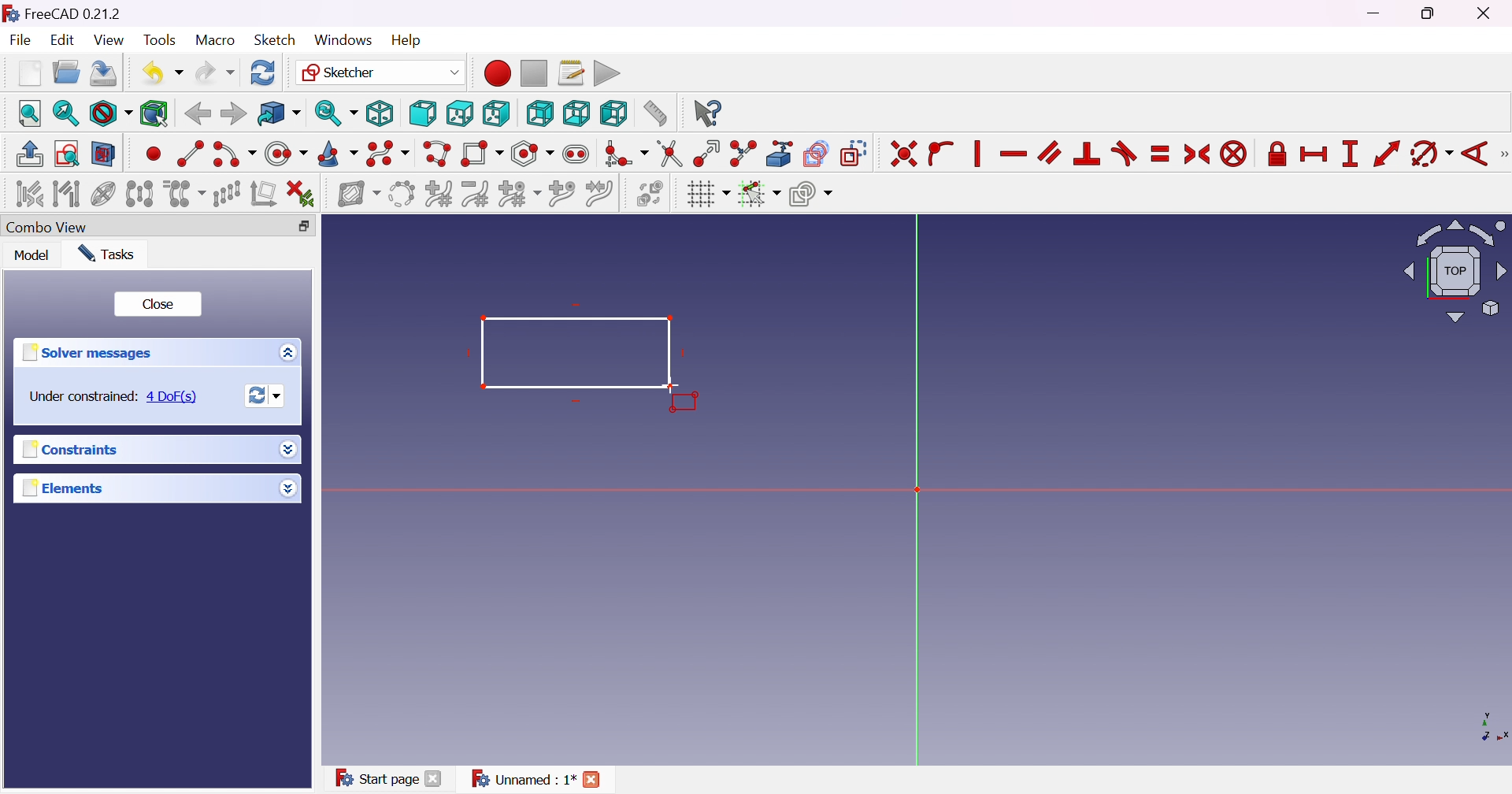 Image resolution: width=1512 pixels, height=794 pixels. Describe the element at coordinates (654, 113) in the screenshot. I see `Measure distance` at that location.